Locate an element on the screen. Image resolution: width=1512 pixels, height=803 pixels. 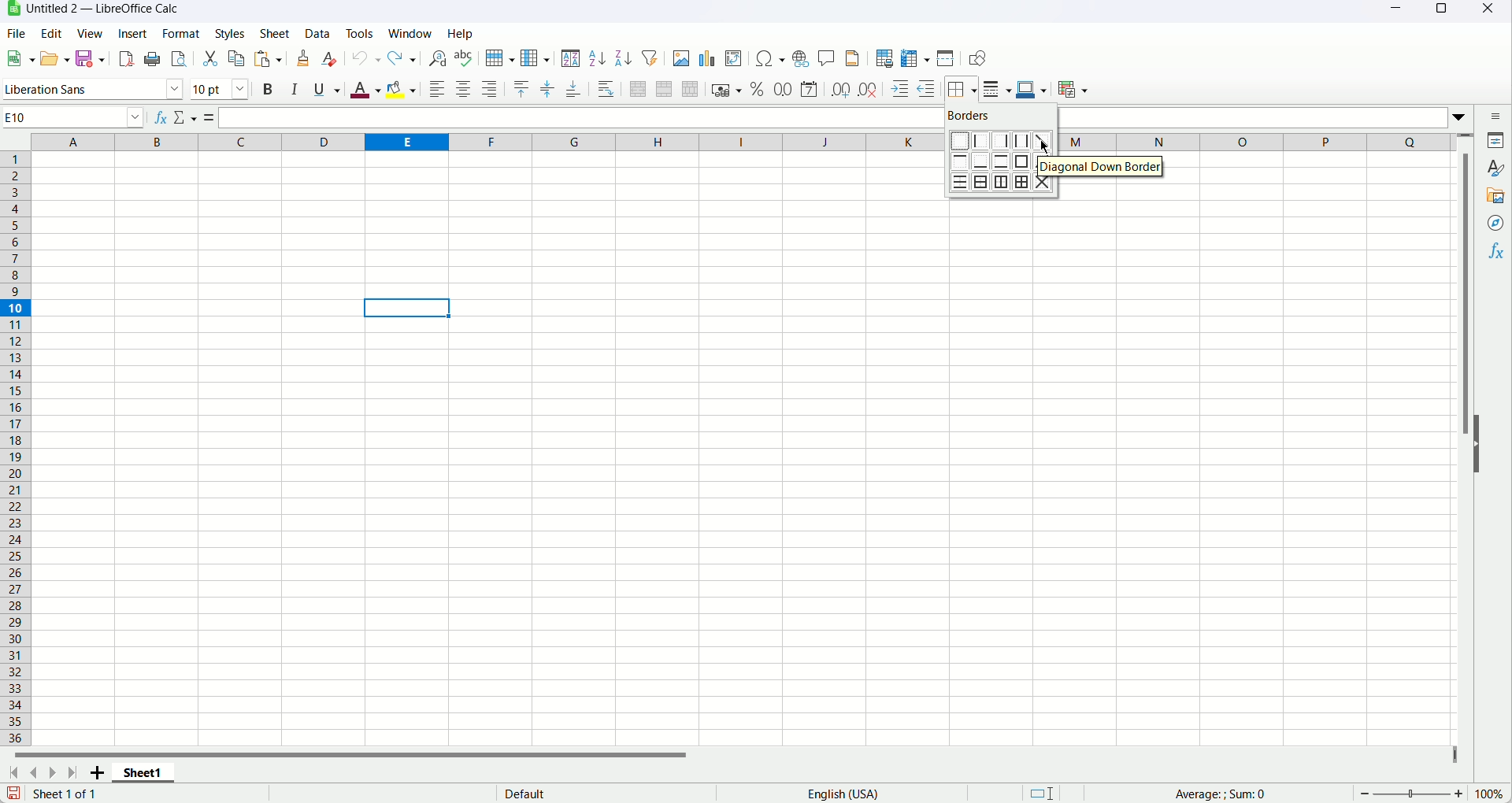
Vertical scroll bar is located at coordinates (1463, 439).